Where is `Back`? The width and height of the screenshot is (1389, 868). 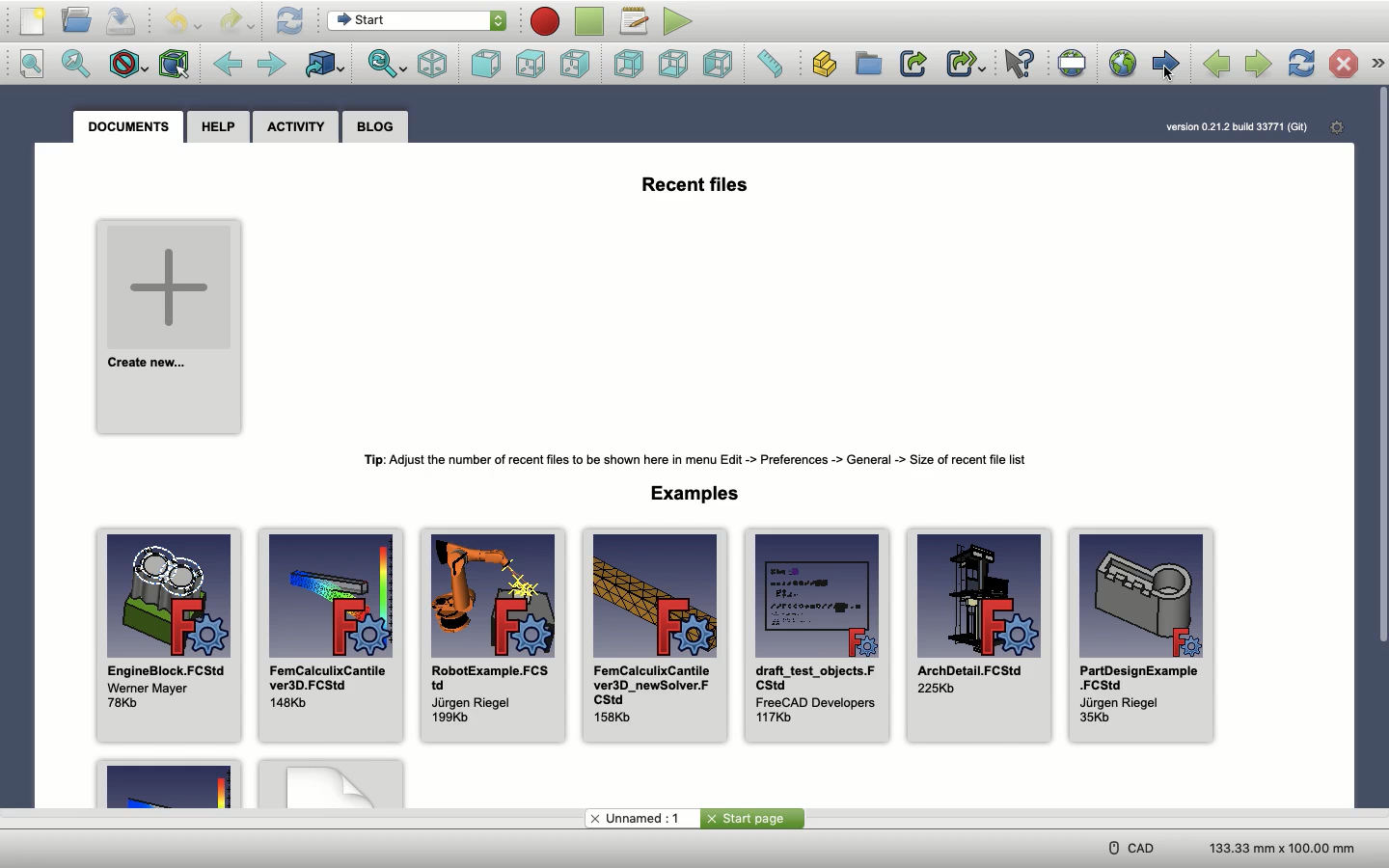
Back is located at coordinates (231, 64).